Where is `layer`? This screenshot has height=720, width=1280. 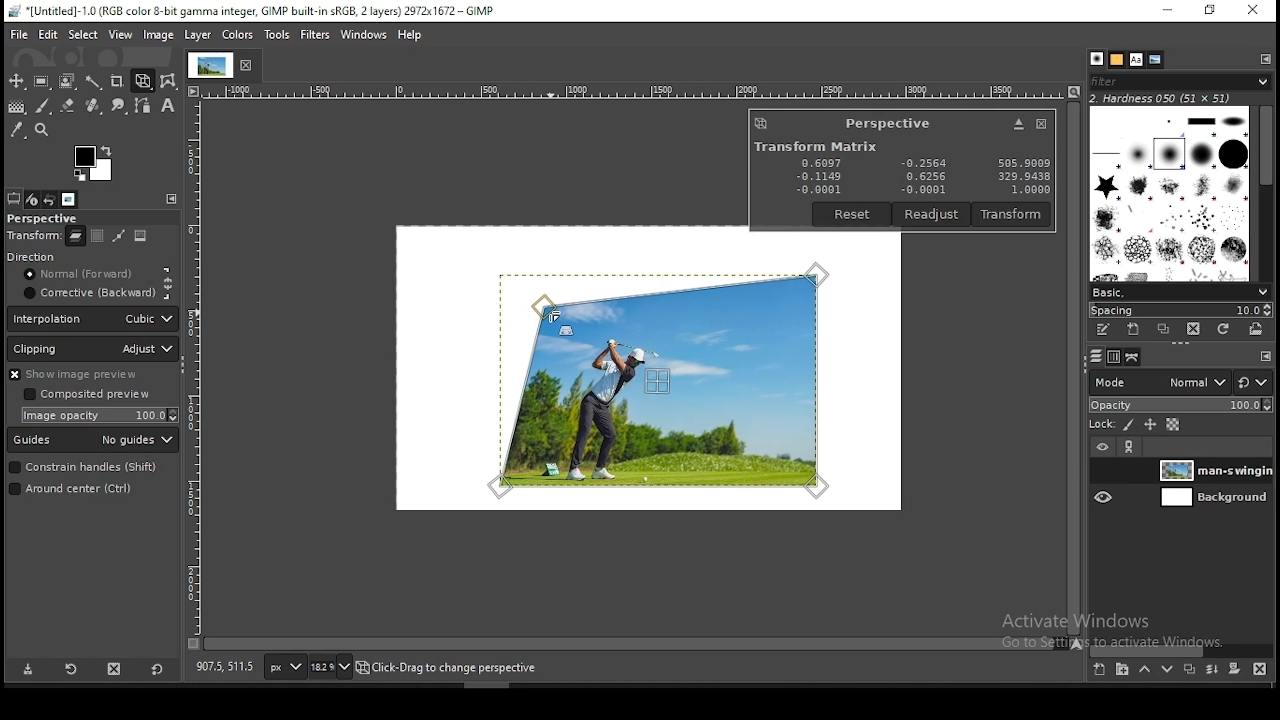
layer is located at coordinates (198, 35).